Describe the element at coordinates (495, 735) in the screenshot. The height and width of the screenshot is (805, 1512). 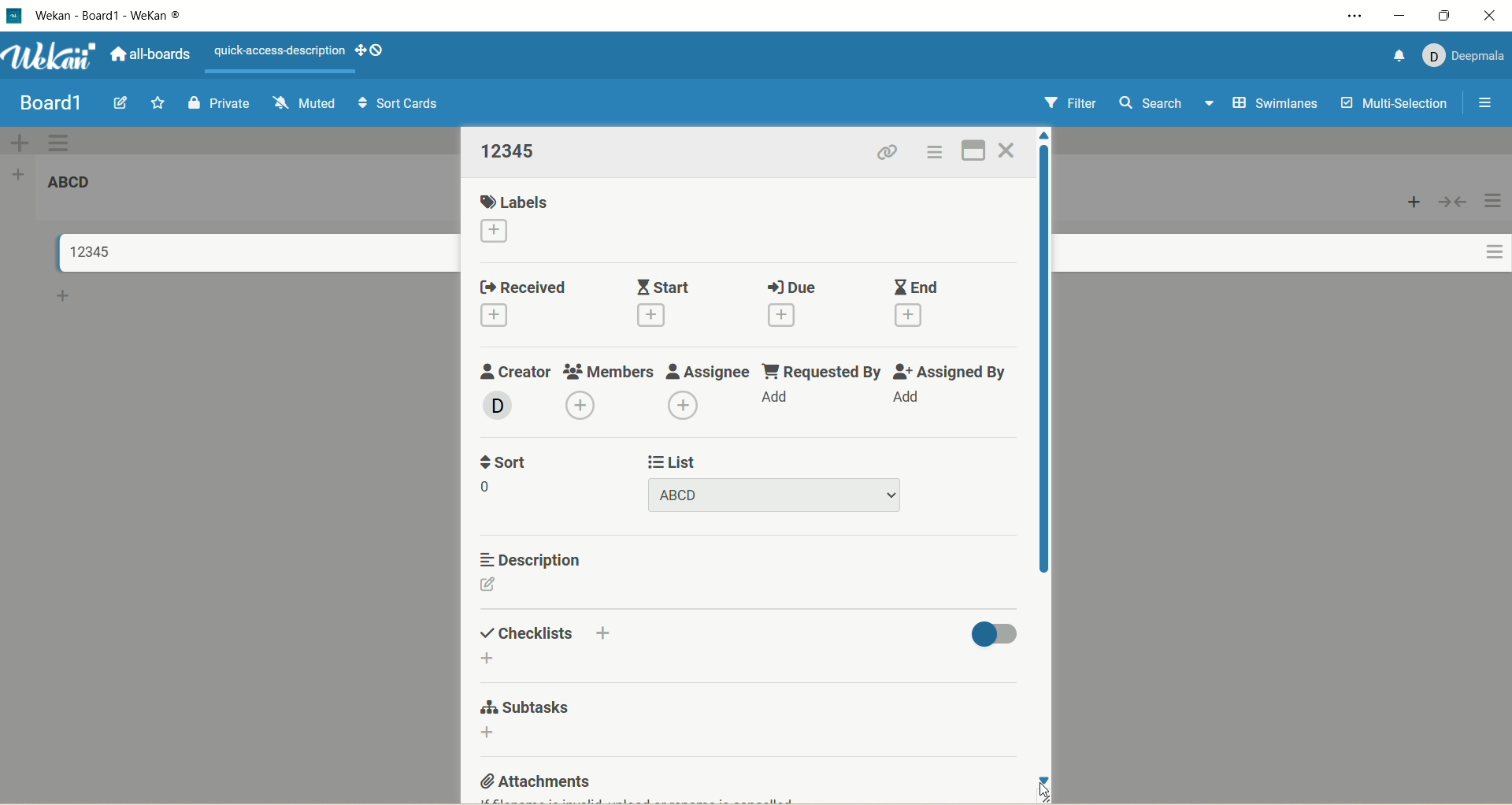
I see `add` at that location.